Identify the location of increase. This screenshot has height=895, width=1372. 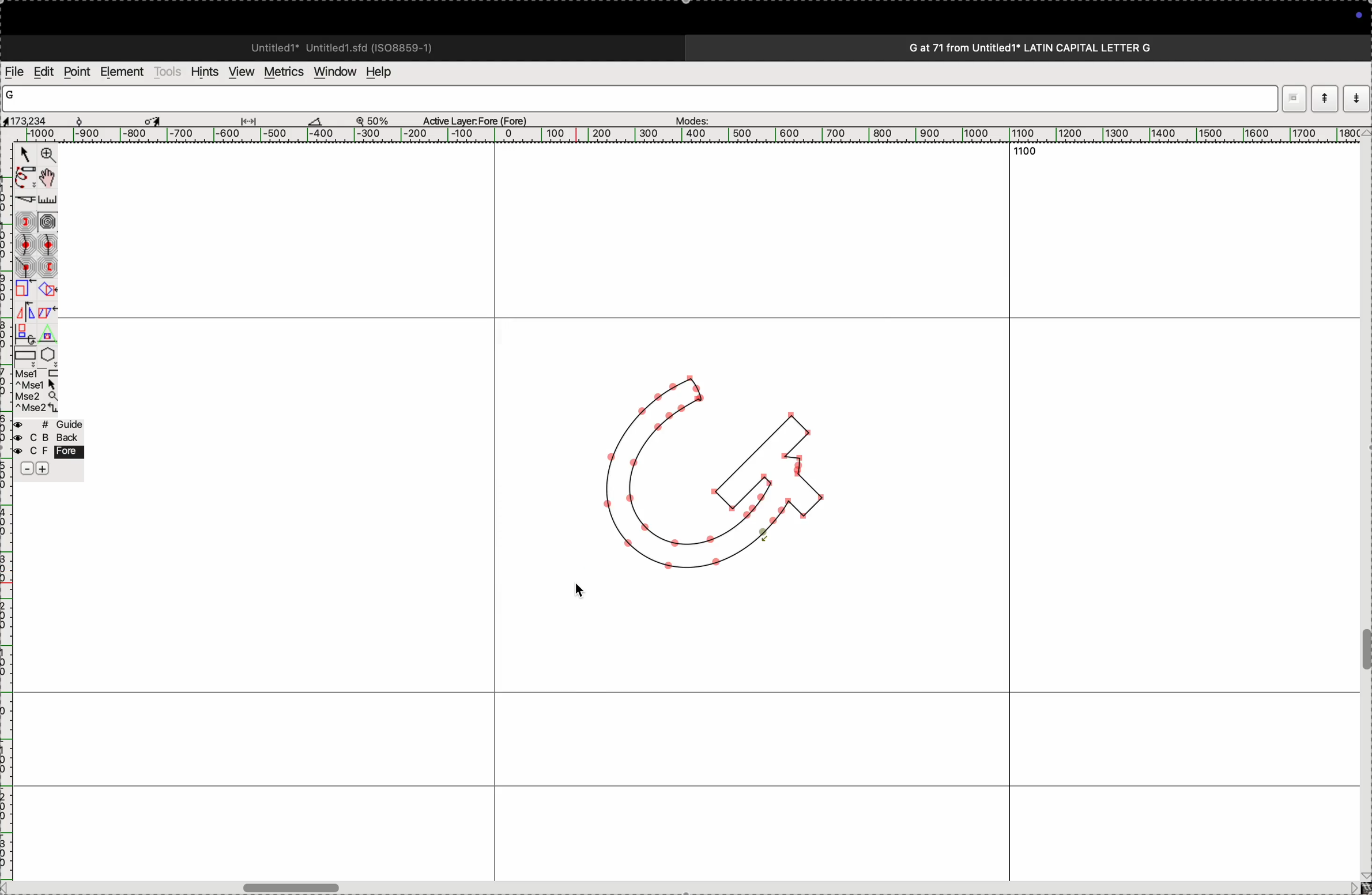
(43, 468).